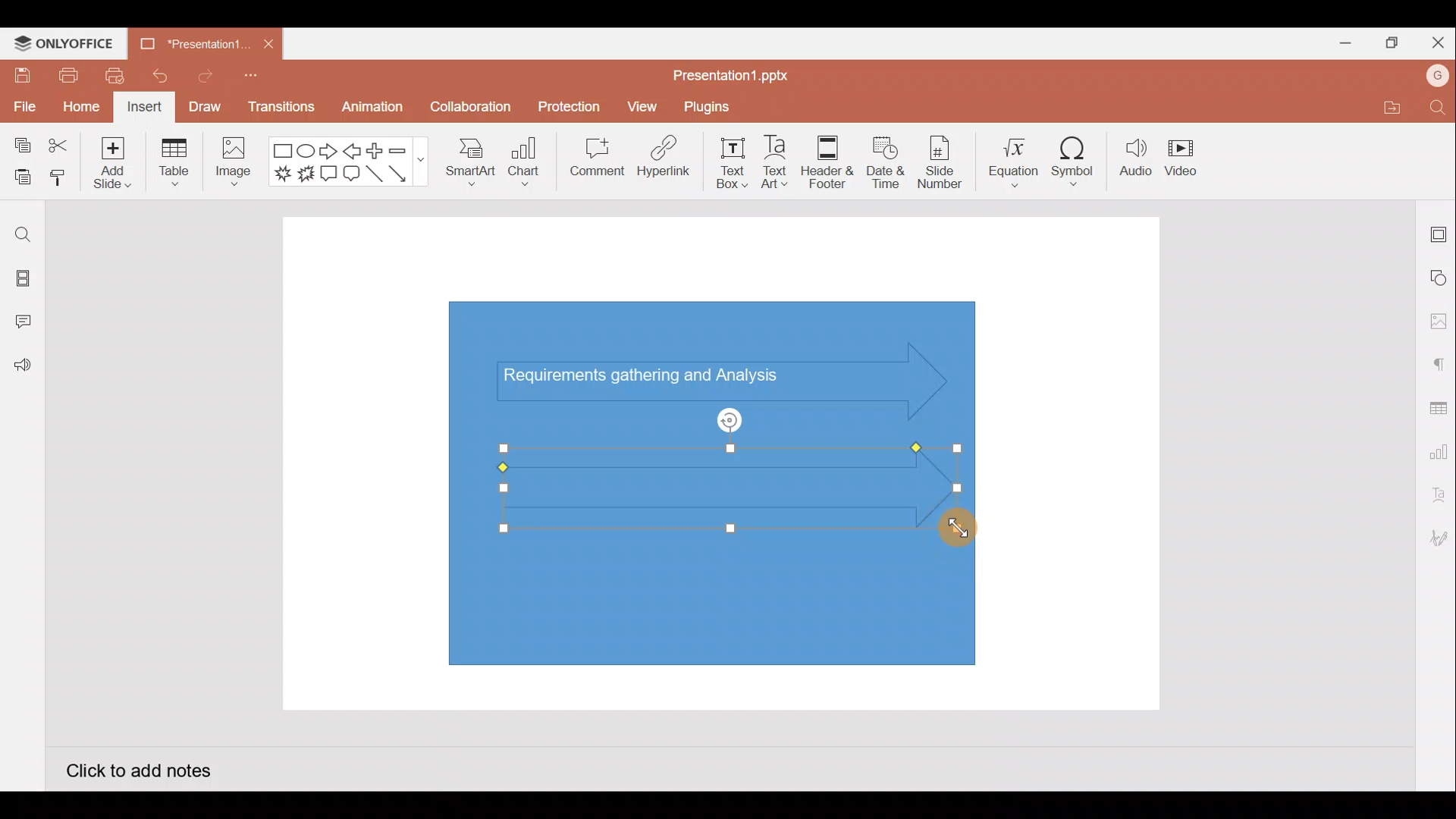 Image resolution: width=1456 pixels, height=819 pixels. I want to click on 2nd inserted right arrow, so click(705, 485).